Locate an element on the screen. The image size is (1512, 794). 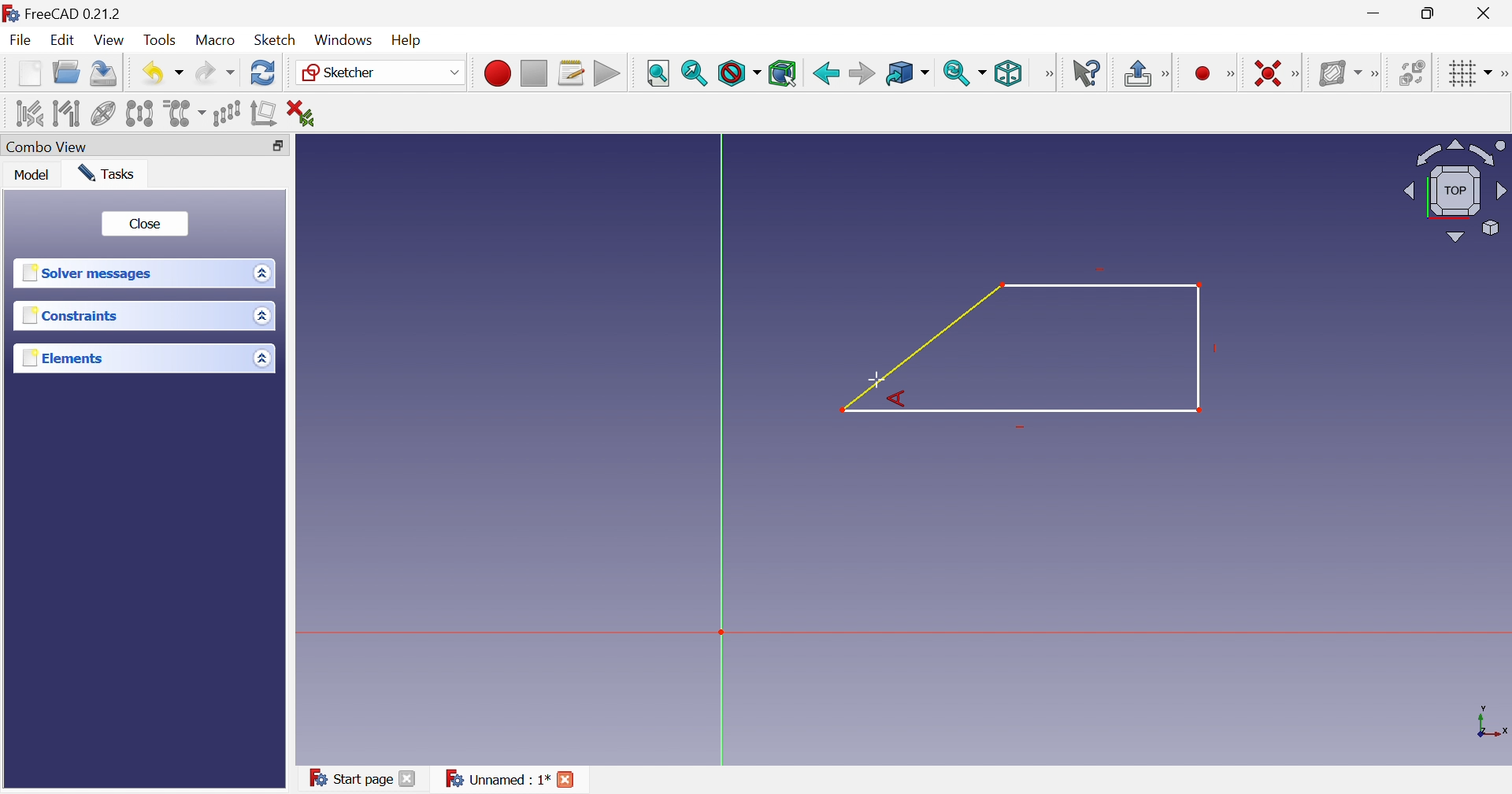
Sync view is located at coordinates (957, 73).